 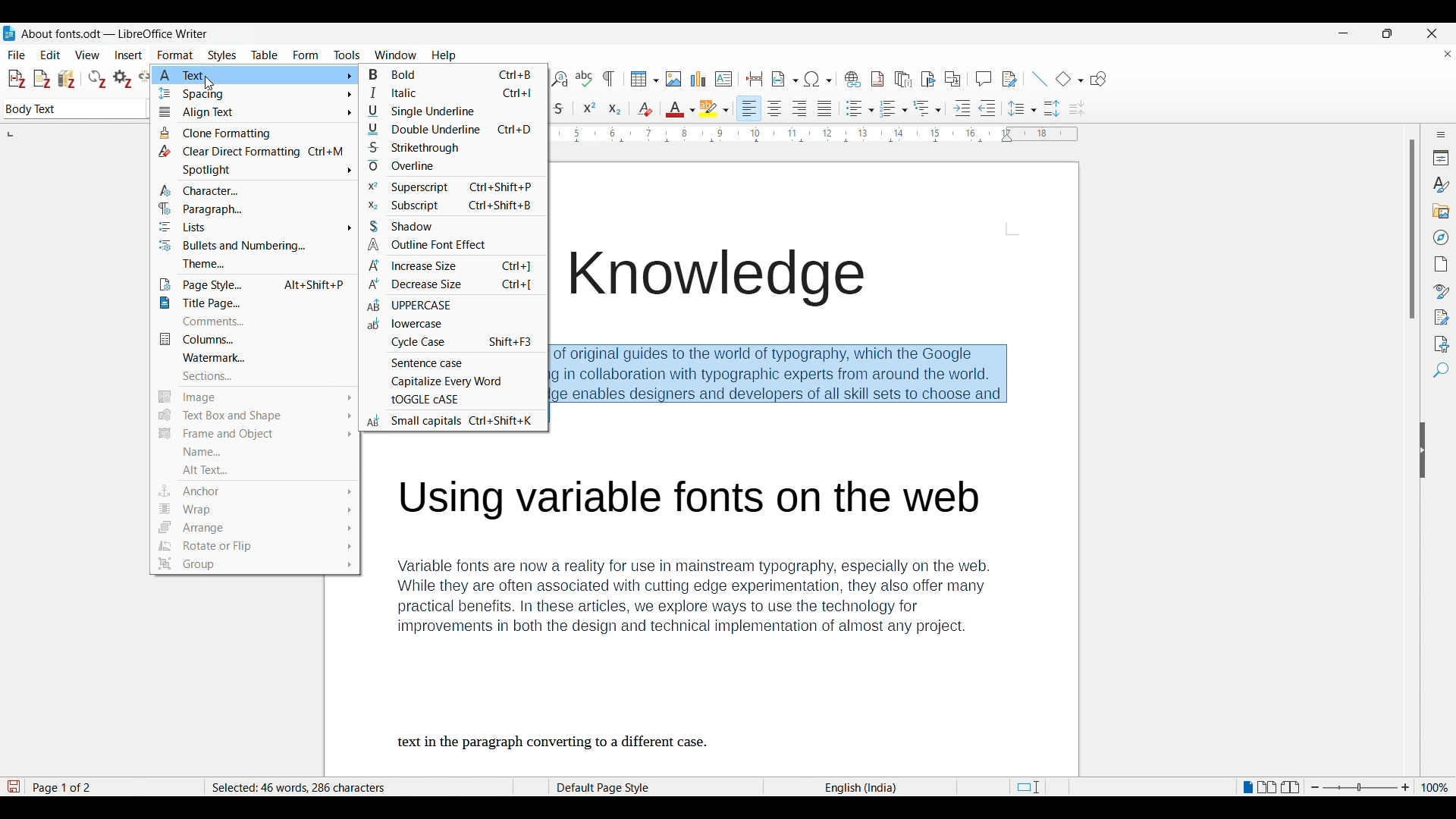 I want to click on Uppercase, so click(x=431, y=306).